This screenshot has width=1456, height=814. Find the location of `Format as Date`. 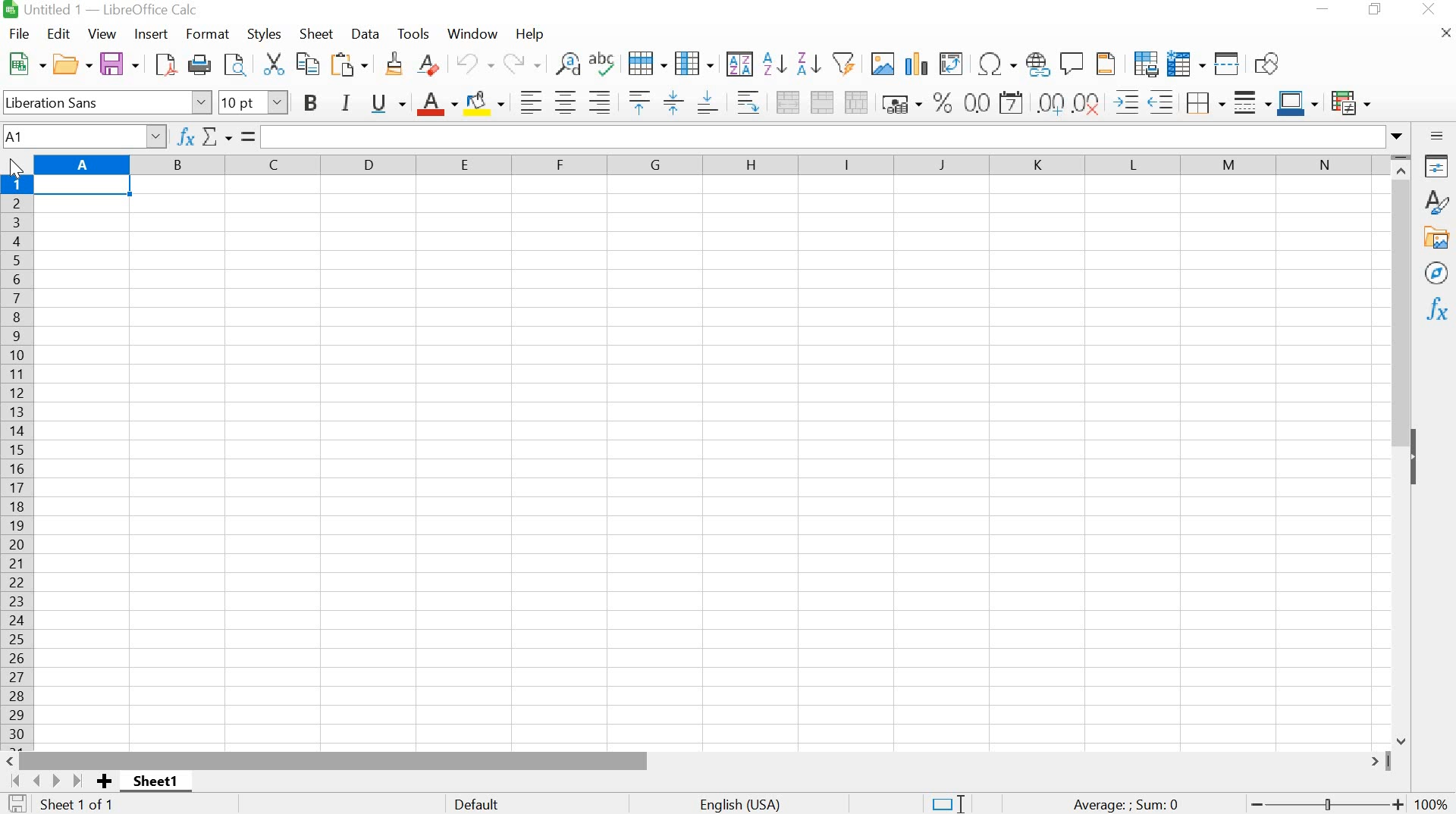

Format as Date is located at coordinates (1012, 103).